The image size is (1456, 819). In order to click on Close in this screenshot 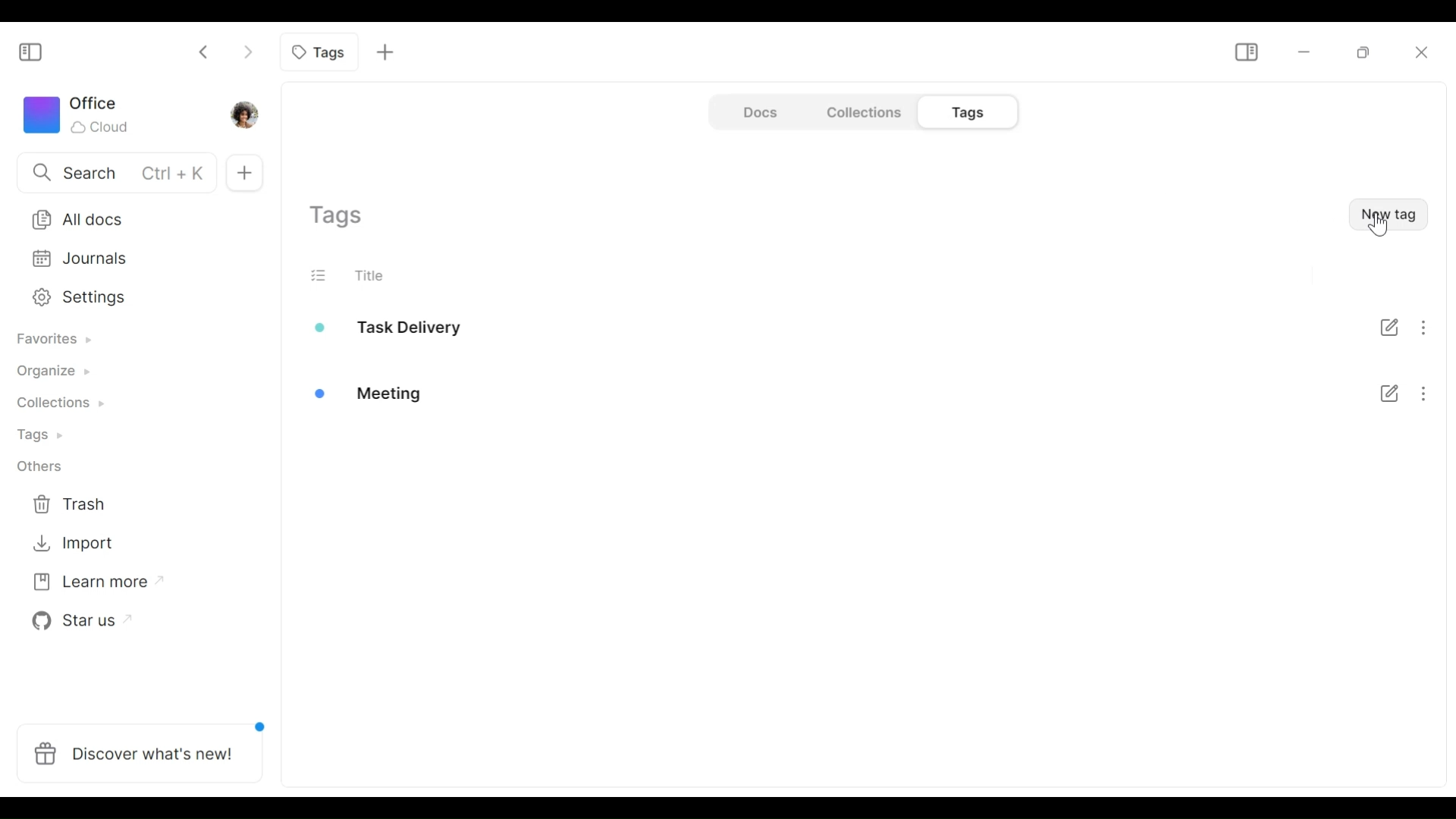, I will do `click(1423, 51)`.